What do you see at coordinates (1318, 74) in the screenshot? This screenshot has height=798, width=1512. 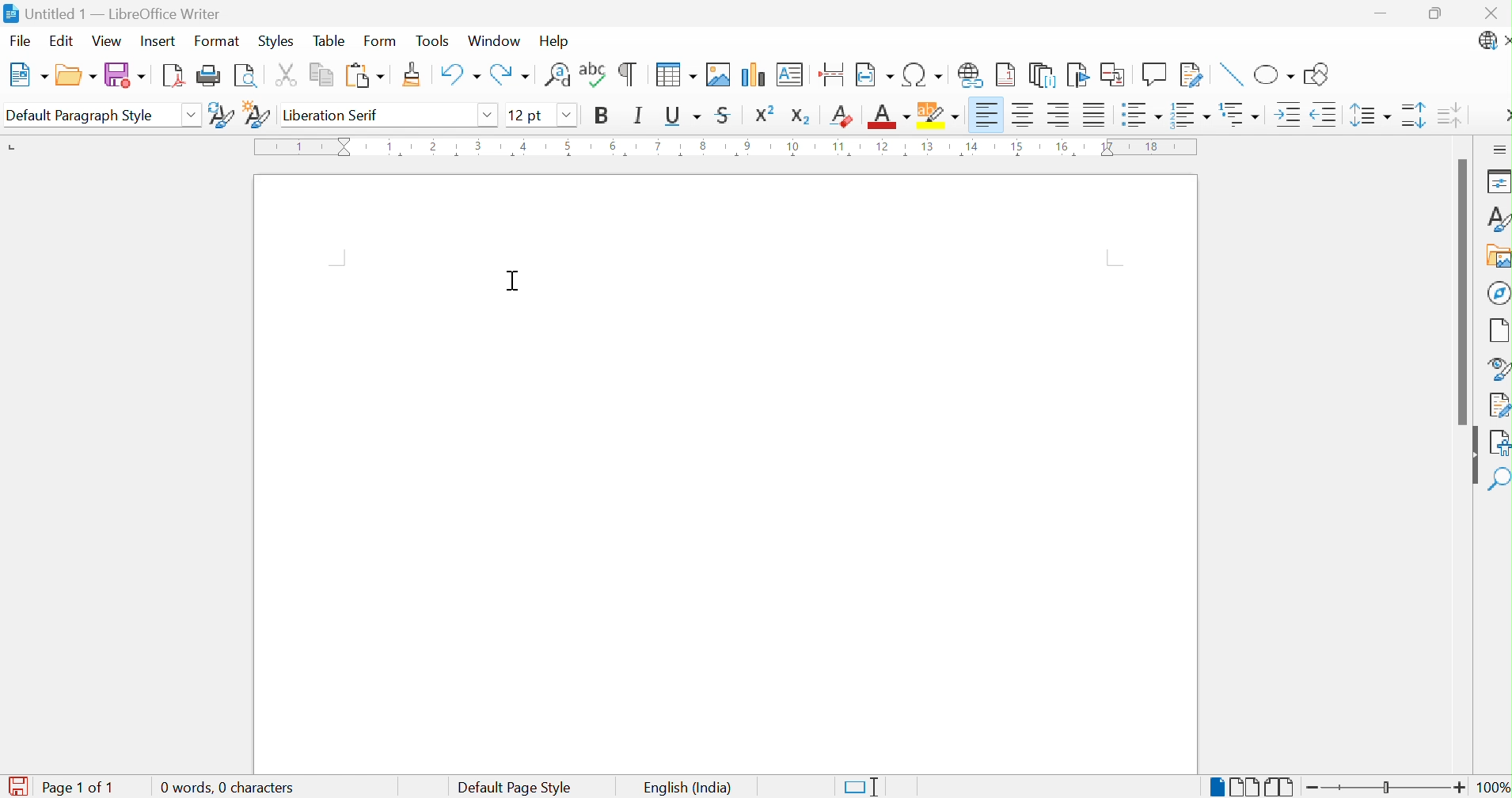 I see `Show Draw Functions` at bounding box center [1318, 74].